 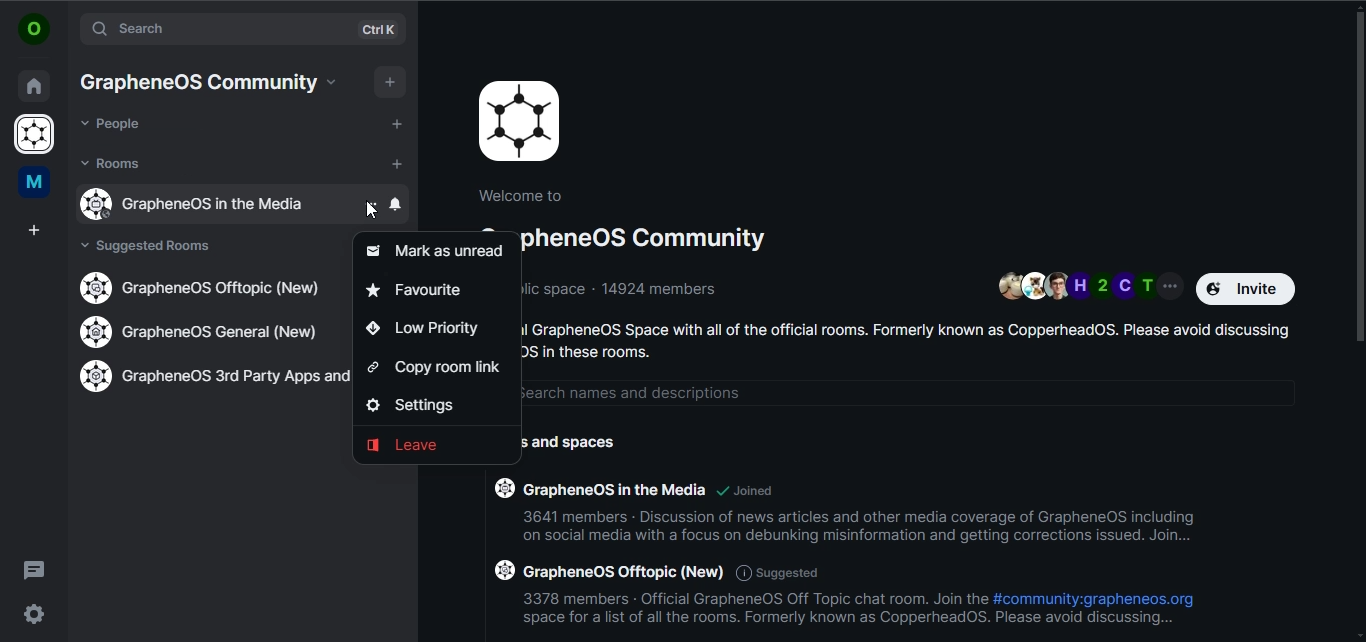 What do you see at coordinates (417, 290) in the screenshot?
I see `favourite` at bounding box center [417, 290].